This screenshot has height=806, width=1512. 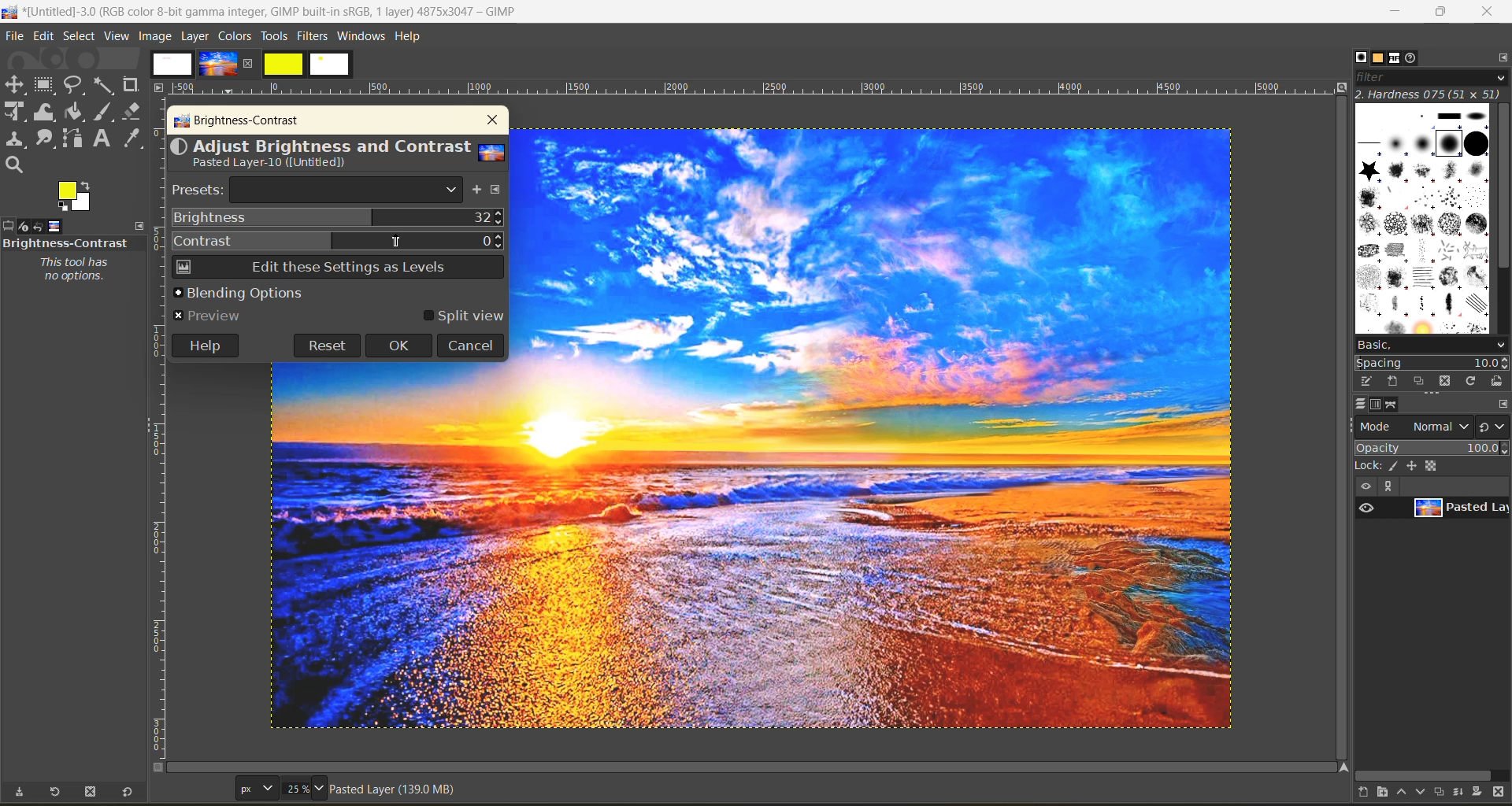 I want to click on layer, so click(x=1460, y=508).